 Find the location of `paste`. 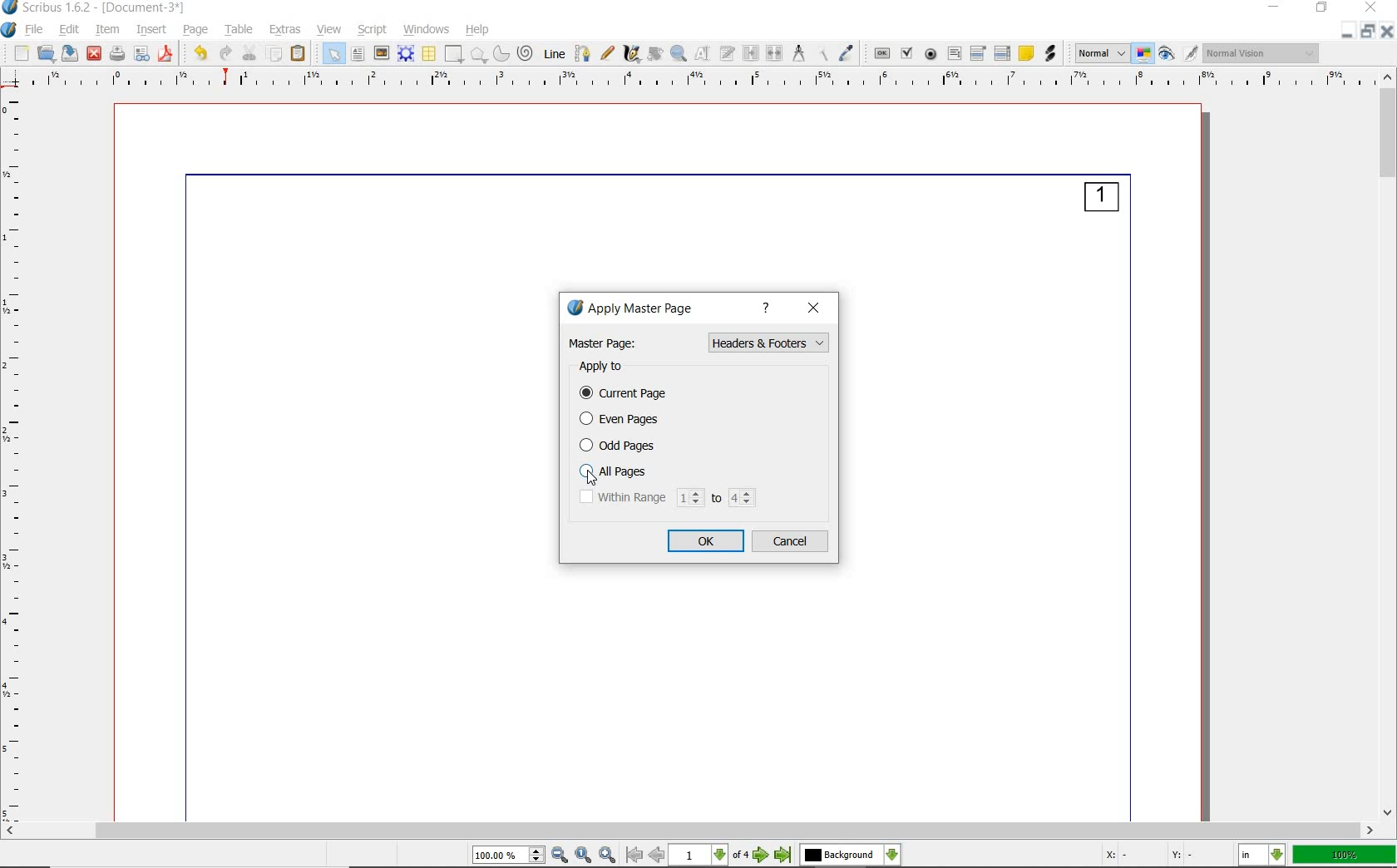

paste is located at coordinates (299, 54).